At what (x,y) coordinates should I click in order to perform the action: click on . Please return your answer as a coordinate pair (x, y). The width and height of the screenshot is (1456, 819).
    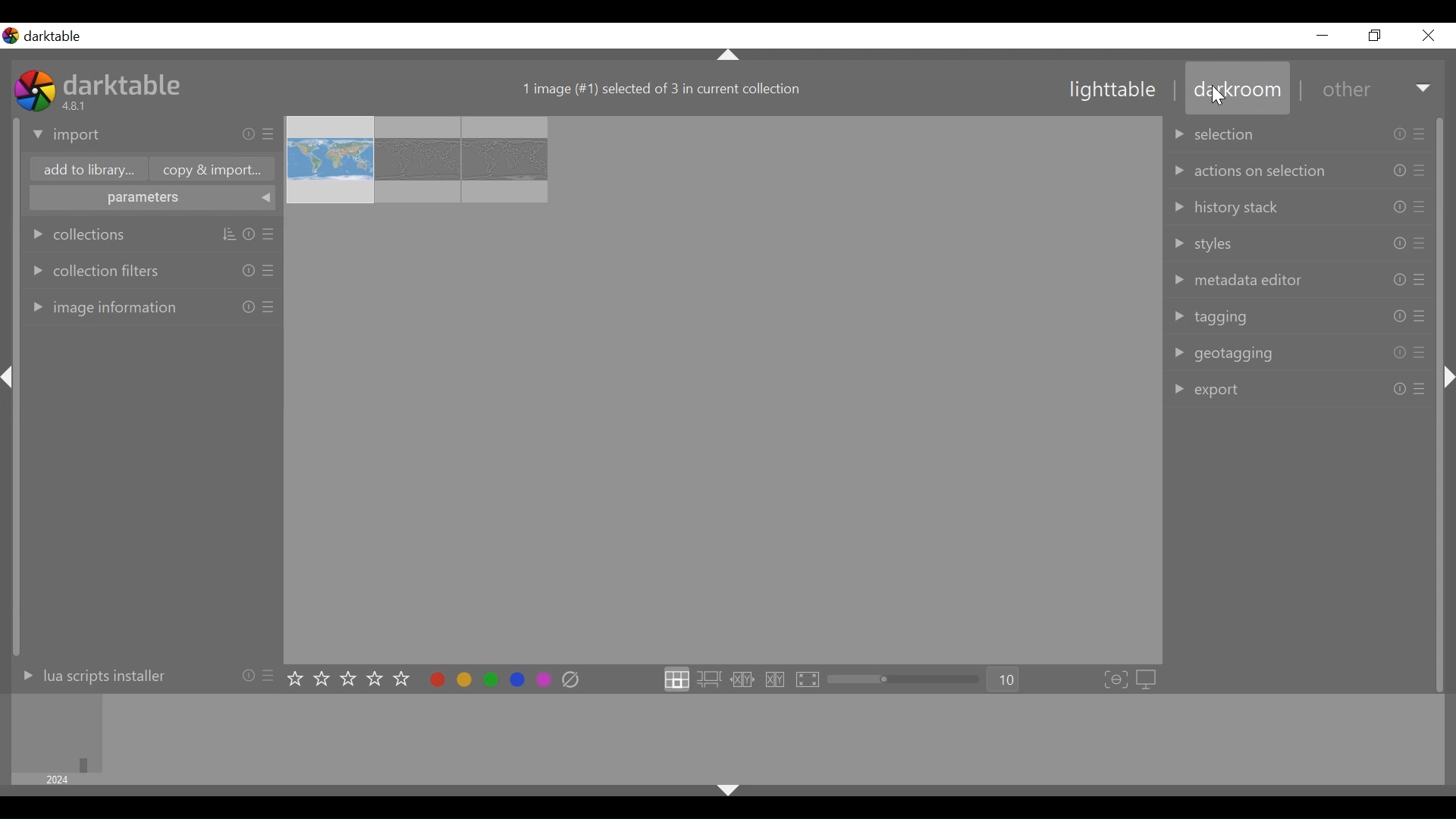
    Looking at the image, I should click on (1446, 391).